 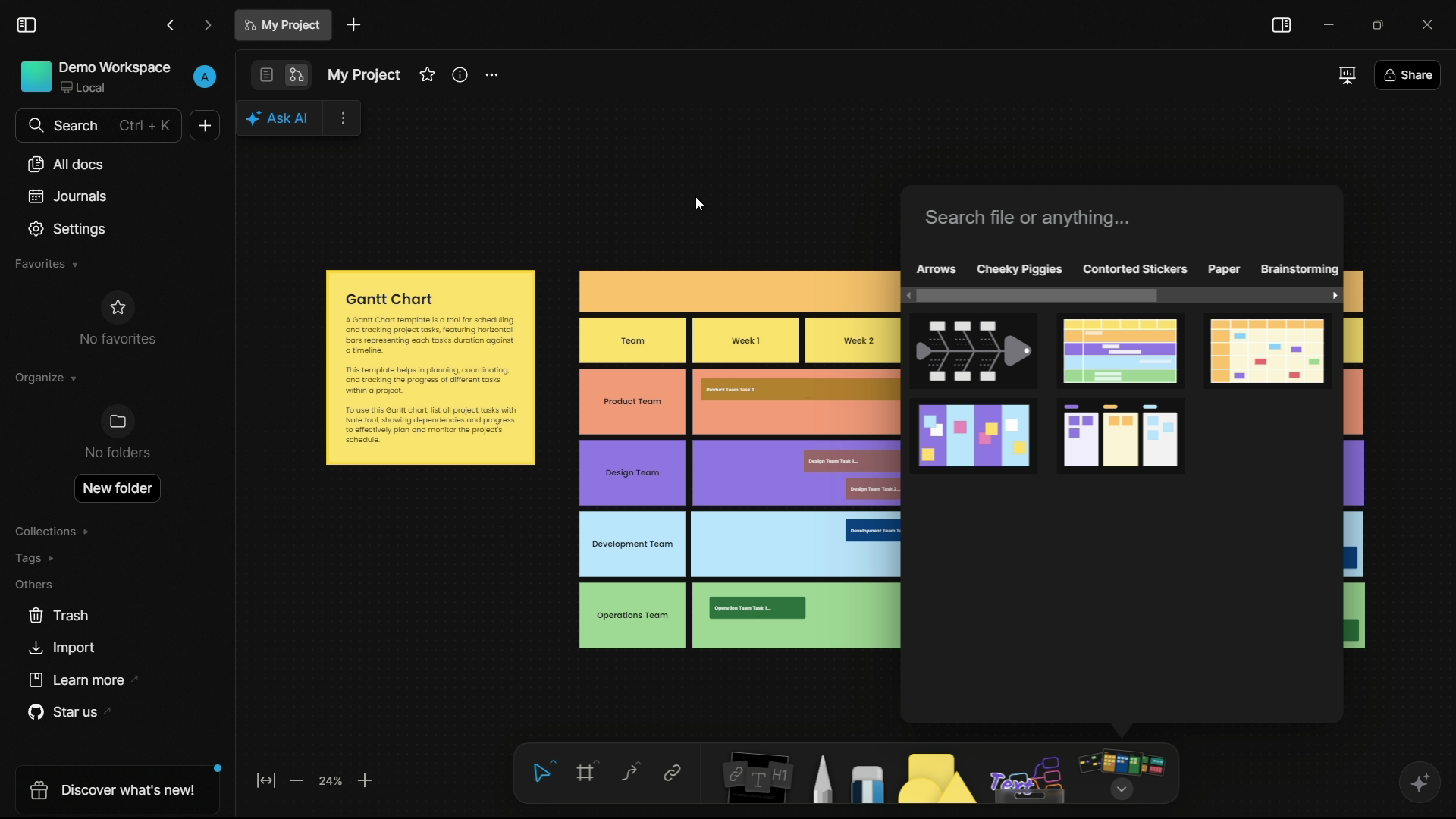 I want to click on discover what's new, so click(x=111, y=788).